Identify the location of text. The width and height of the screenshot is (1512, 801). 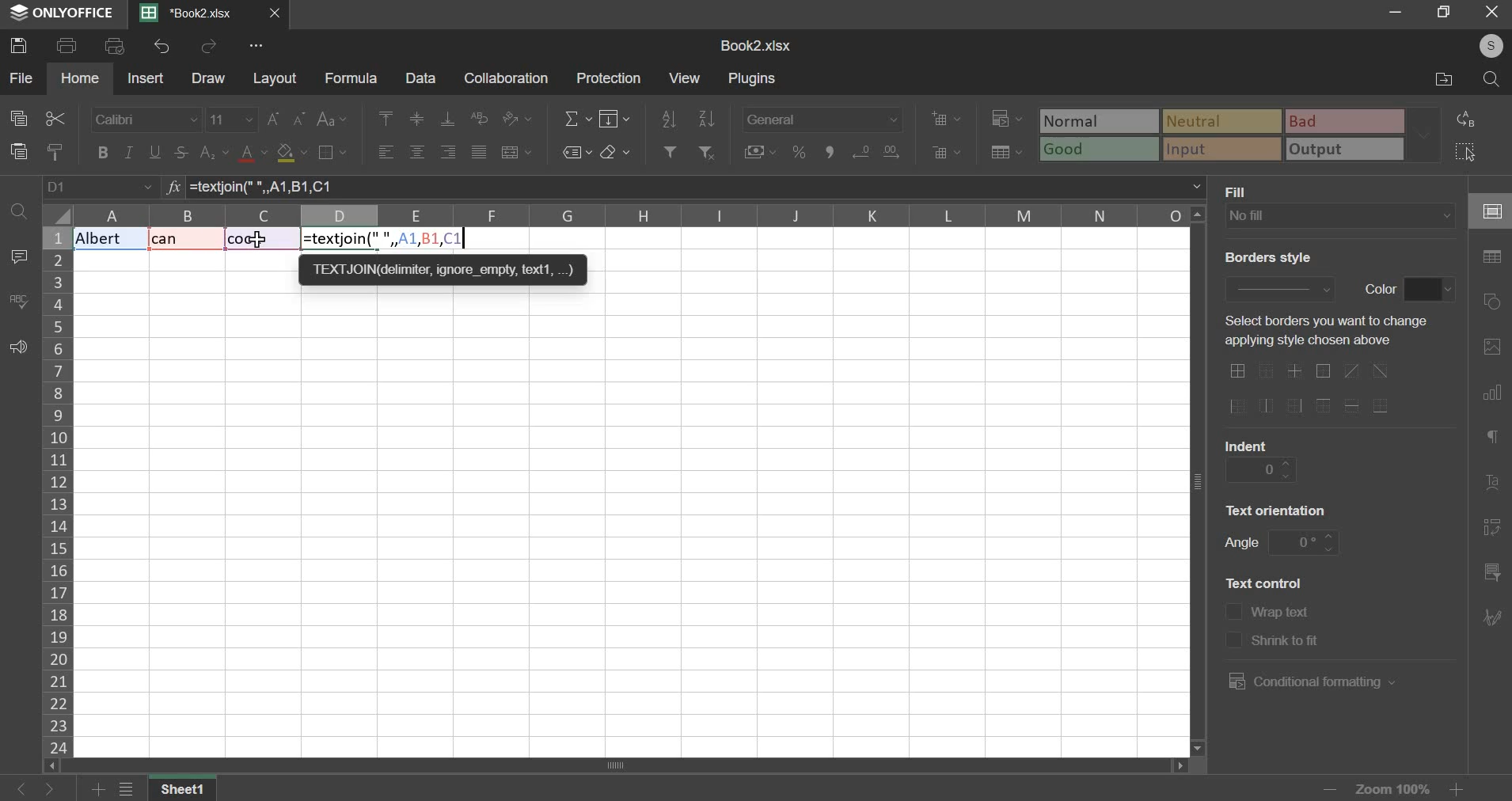
(1241, 545).